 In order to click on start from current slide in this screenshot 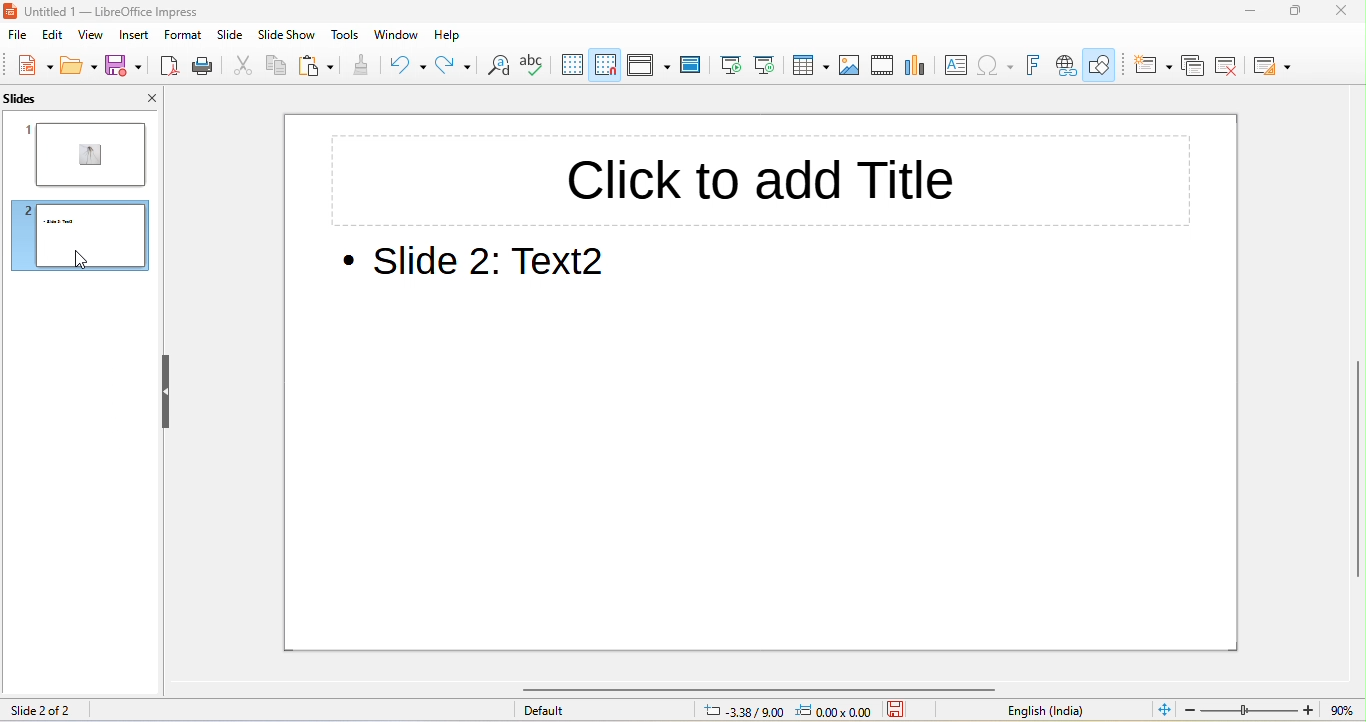, I will do `click(771, 65)`.